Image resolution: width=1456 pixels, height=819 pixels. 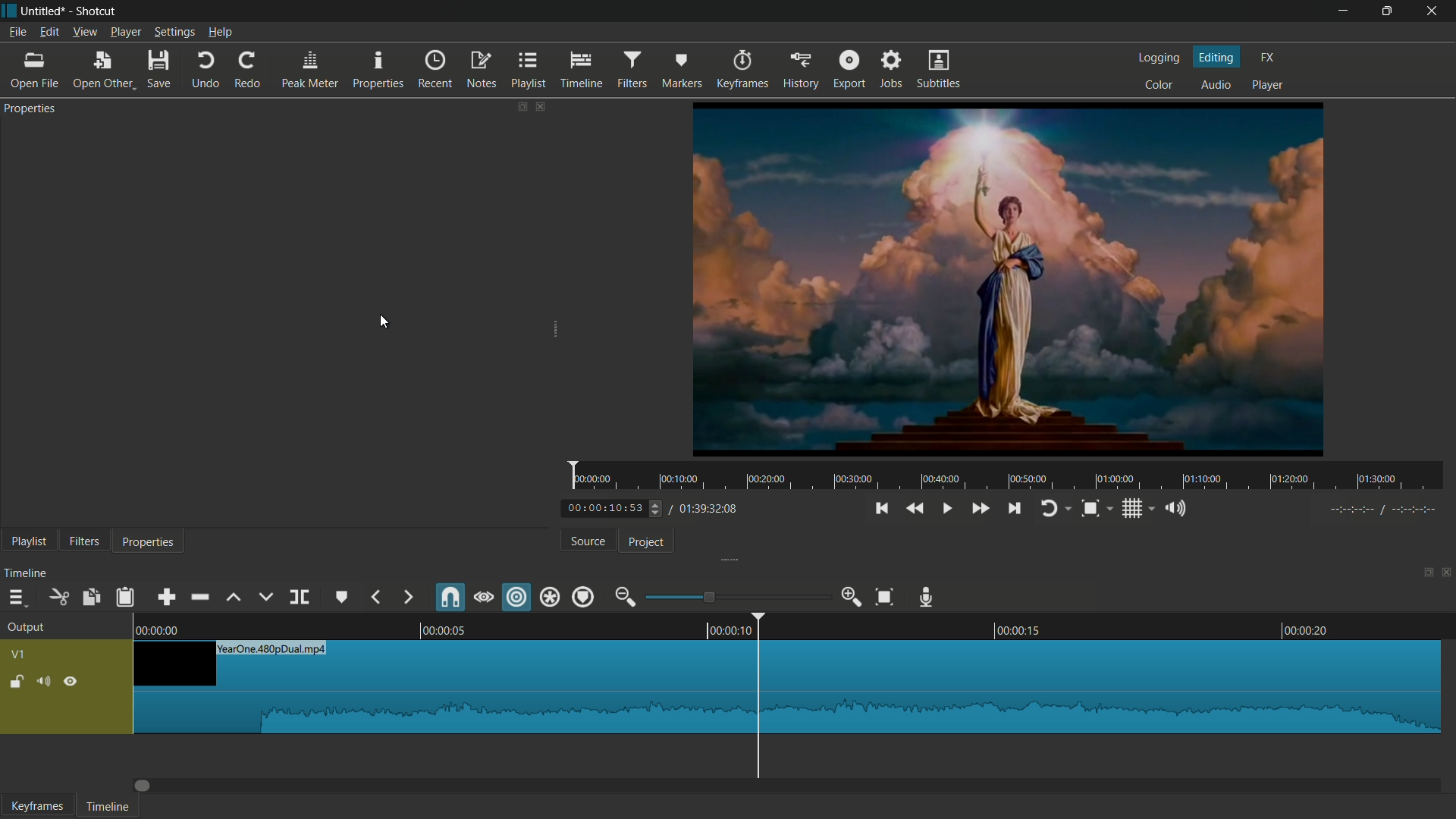 I want to click on hide, so click(x=72, y=681).